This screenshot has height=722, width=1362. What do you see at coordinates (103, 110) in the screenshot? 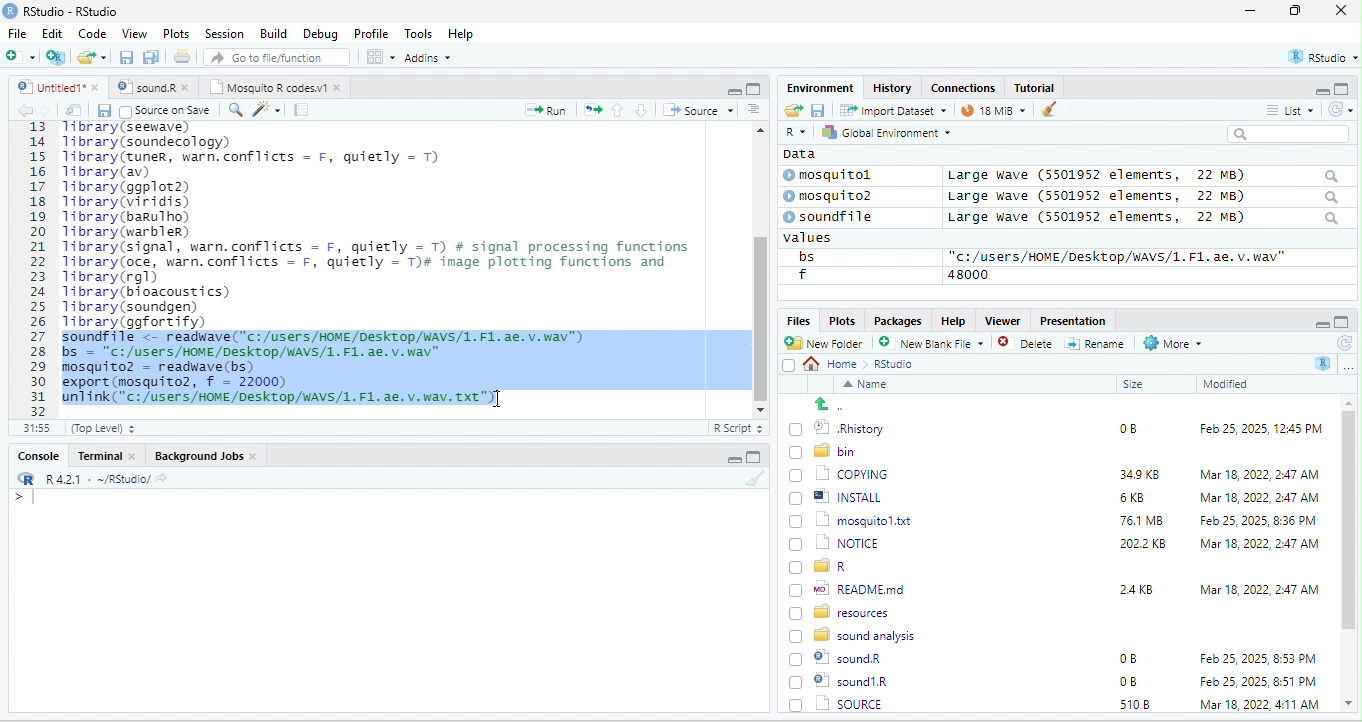
I see `save` at bounding box center [103, 110].